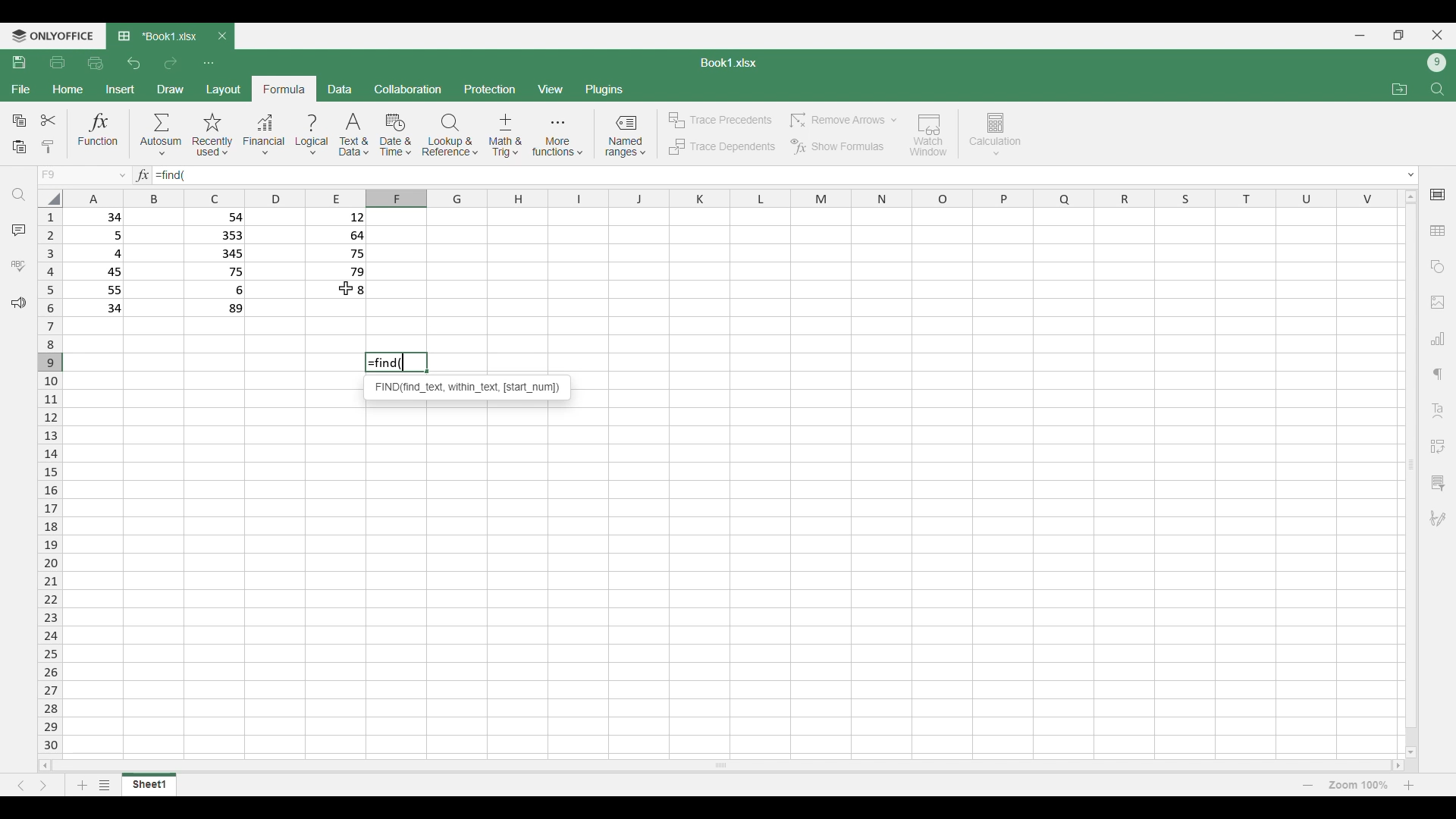  What do you see at coordinates (99, 133) in the screenshot?
I see `Funtion` at bounding box center [99, 133].